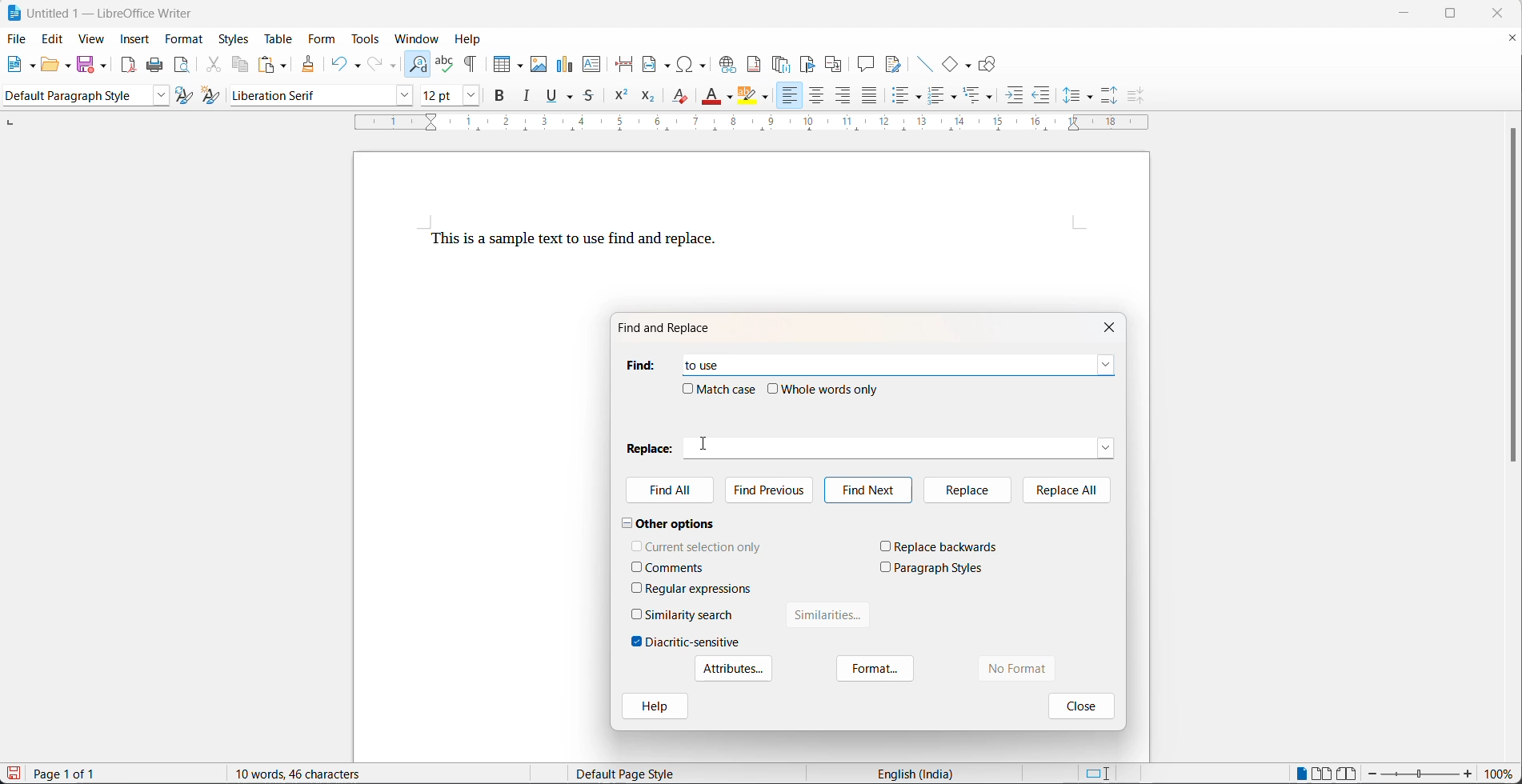  What do you see at coordinates (101, 11) in the screenshot?
I see `Untitled 1 - LibreOffice Writer` at bounding box center [101, 11].